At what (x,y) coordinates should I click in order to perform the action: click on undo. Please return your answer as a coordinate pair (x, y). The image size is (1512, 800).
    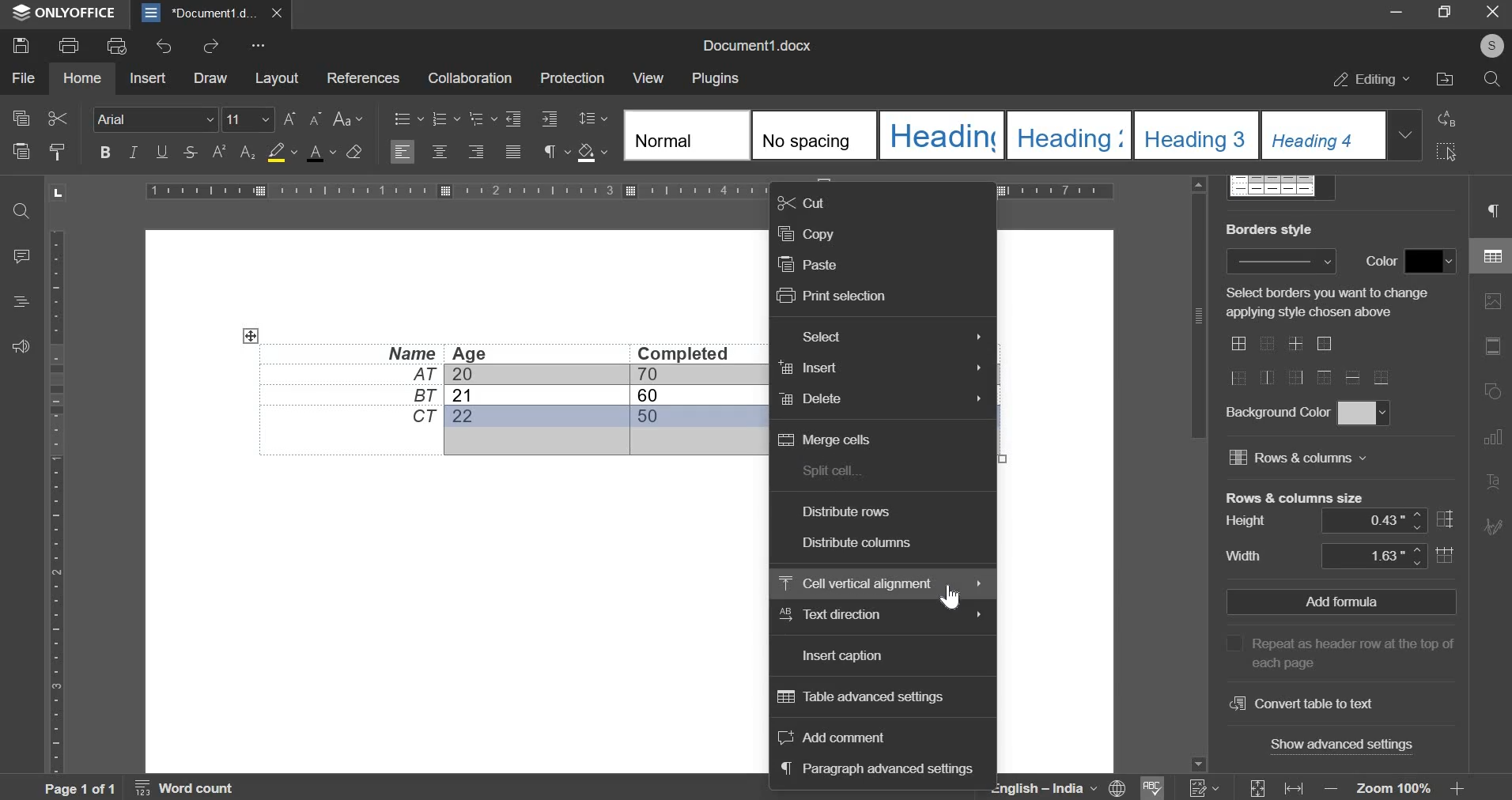
    Looking at the image, I should click on (161, 46).